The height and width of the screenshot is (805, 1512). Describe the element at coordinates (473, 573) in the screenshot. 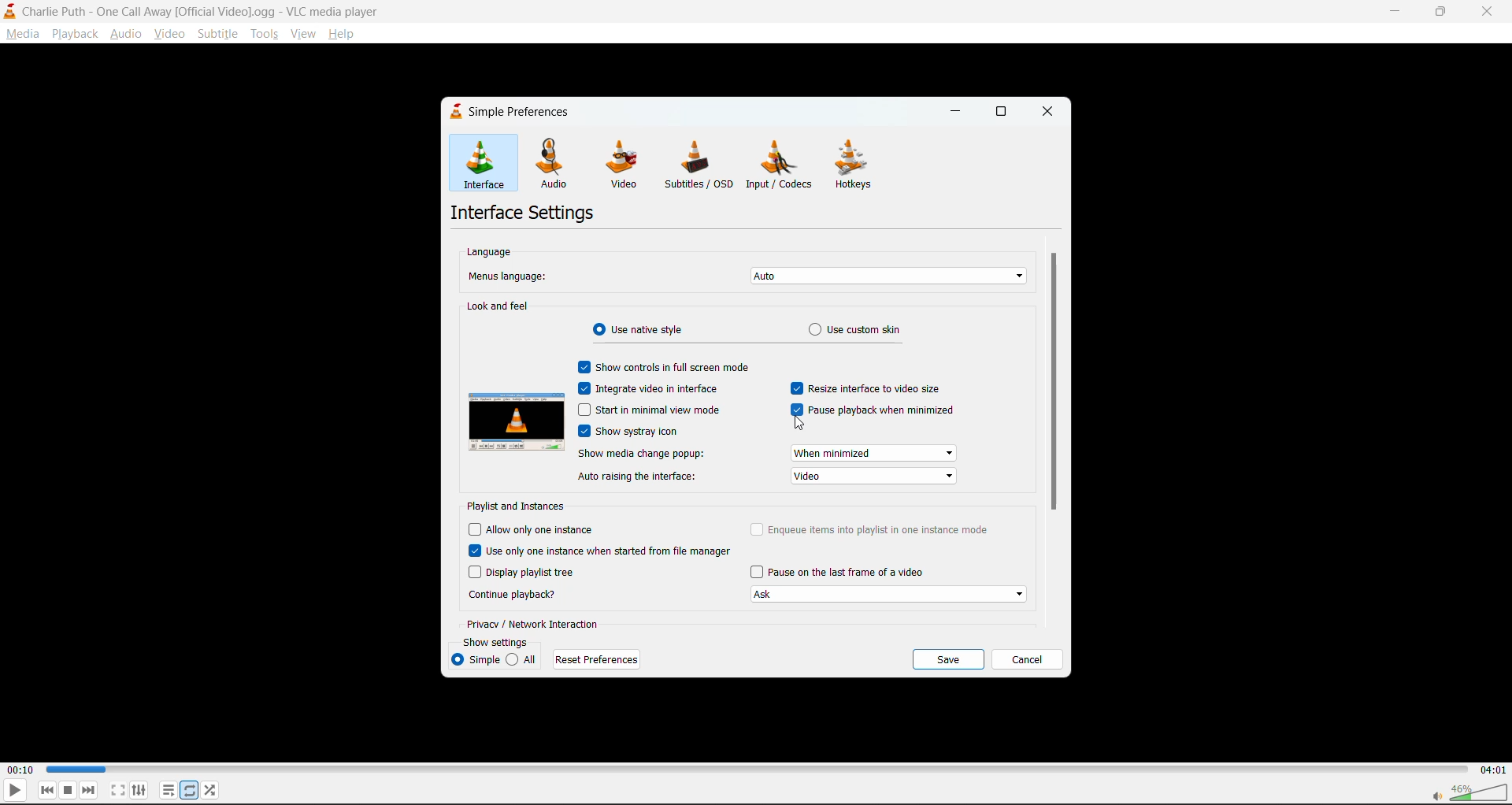

I see `Checbox` at that location.